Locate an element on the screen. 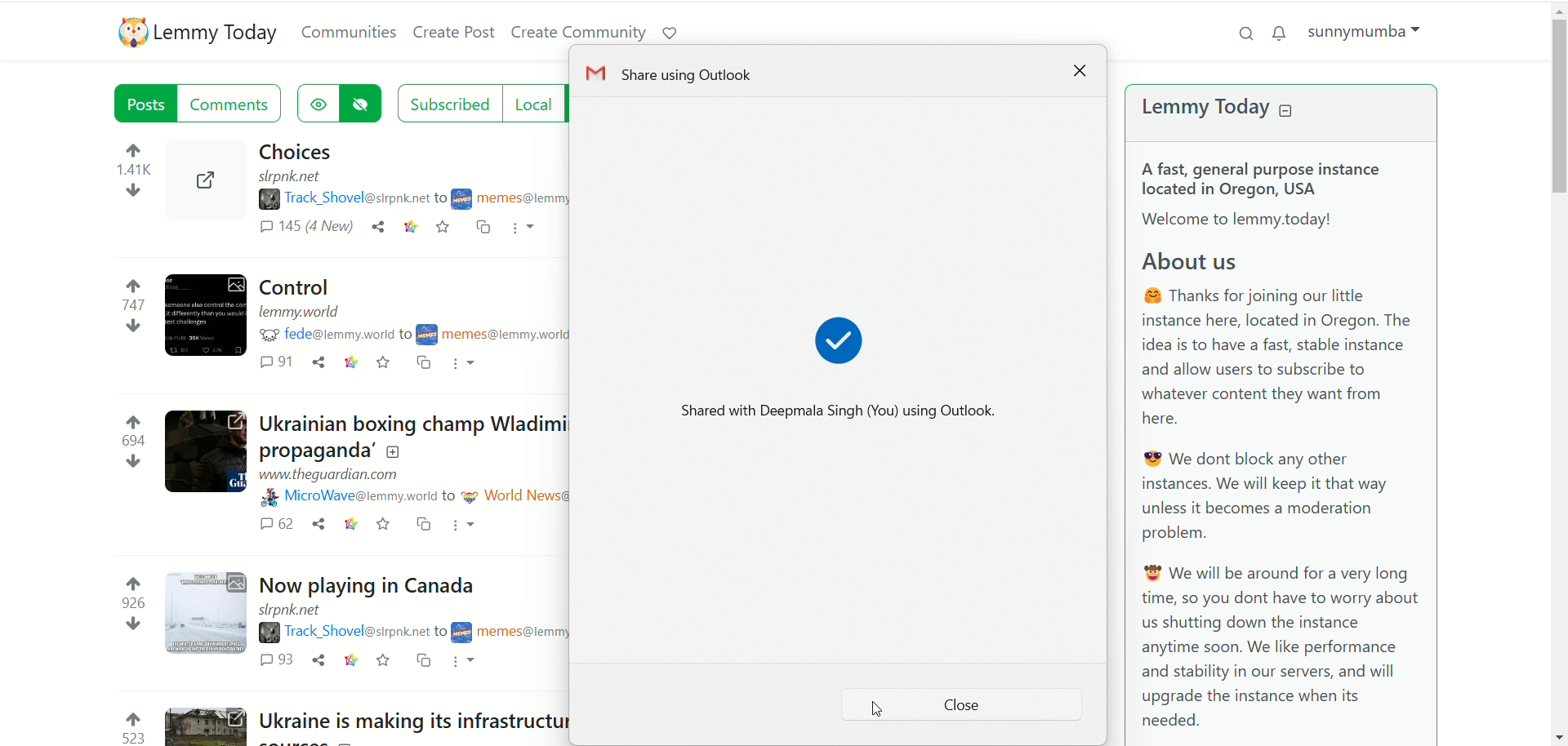  share is located at coordinates (318, 362).